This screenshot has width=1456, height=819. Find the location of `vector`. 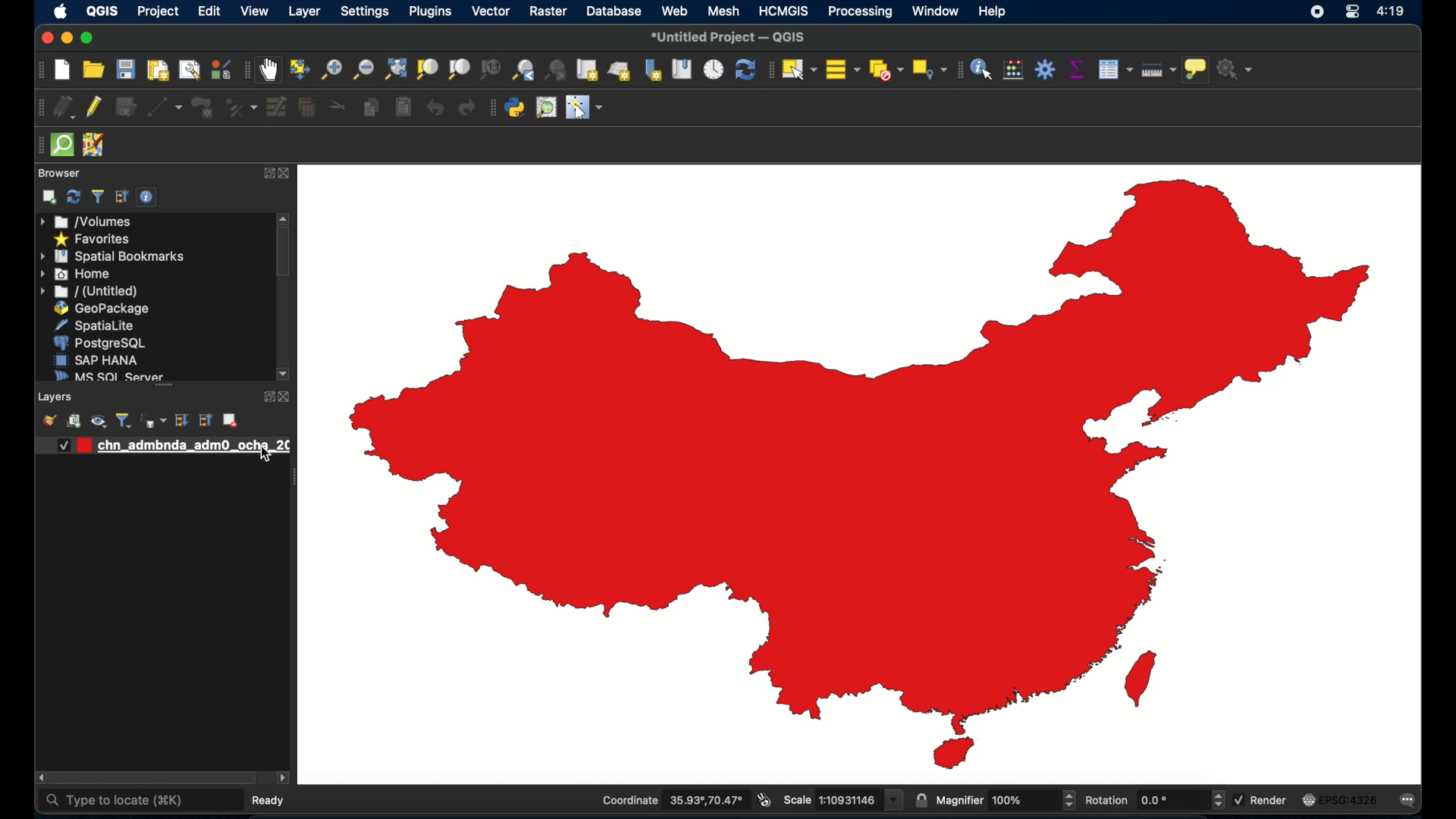

vector is located at coordinates (491, 11).